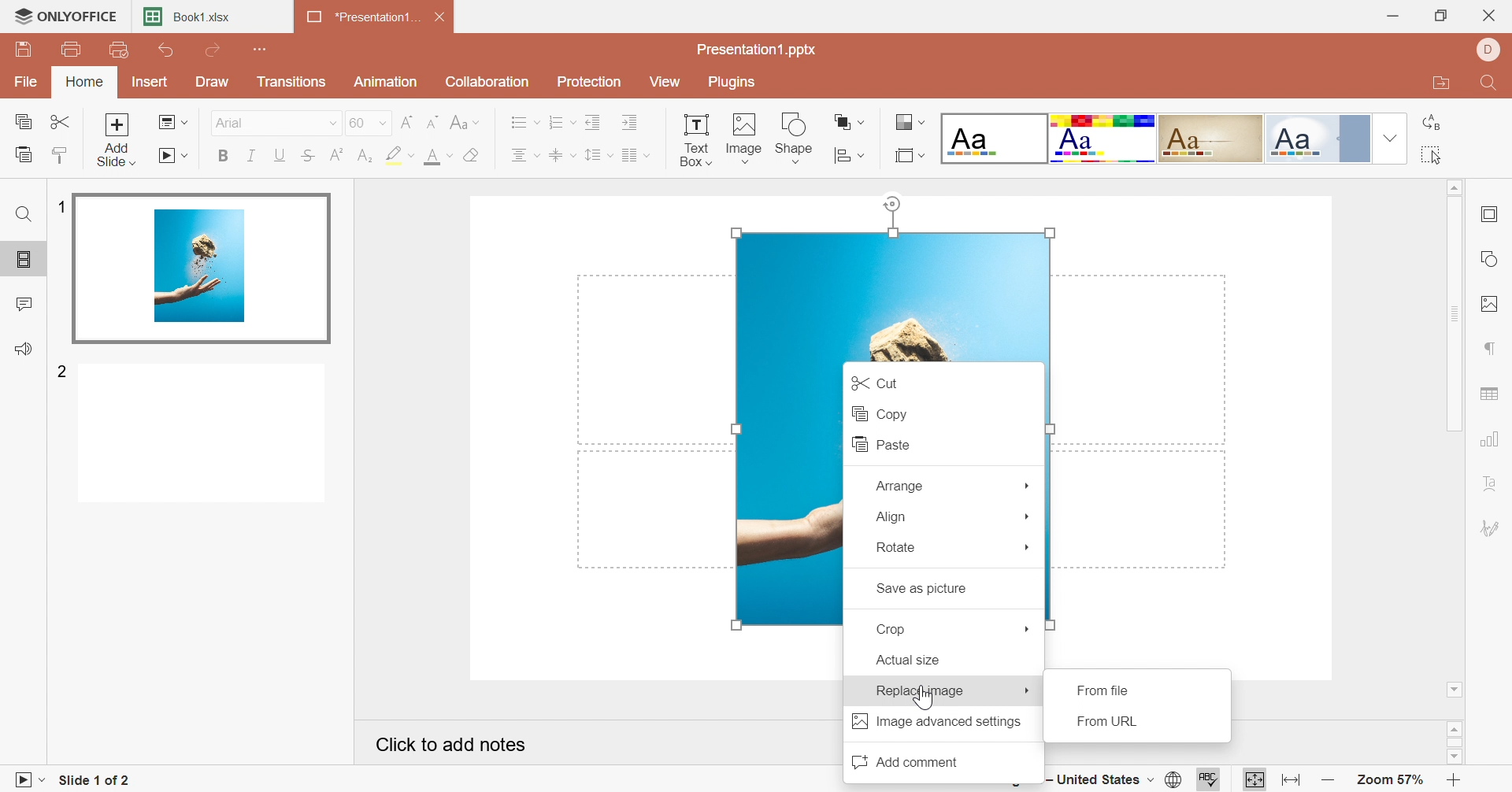 This screenshot has width=1512, height=792. I want to click on Align, so click(891, 516).